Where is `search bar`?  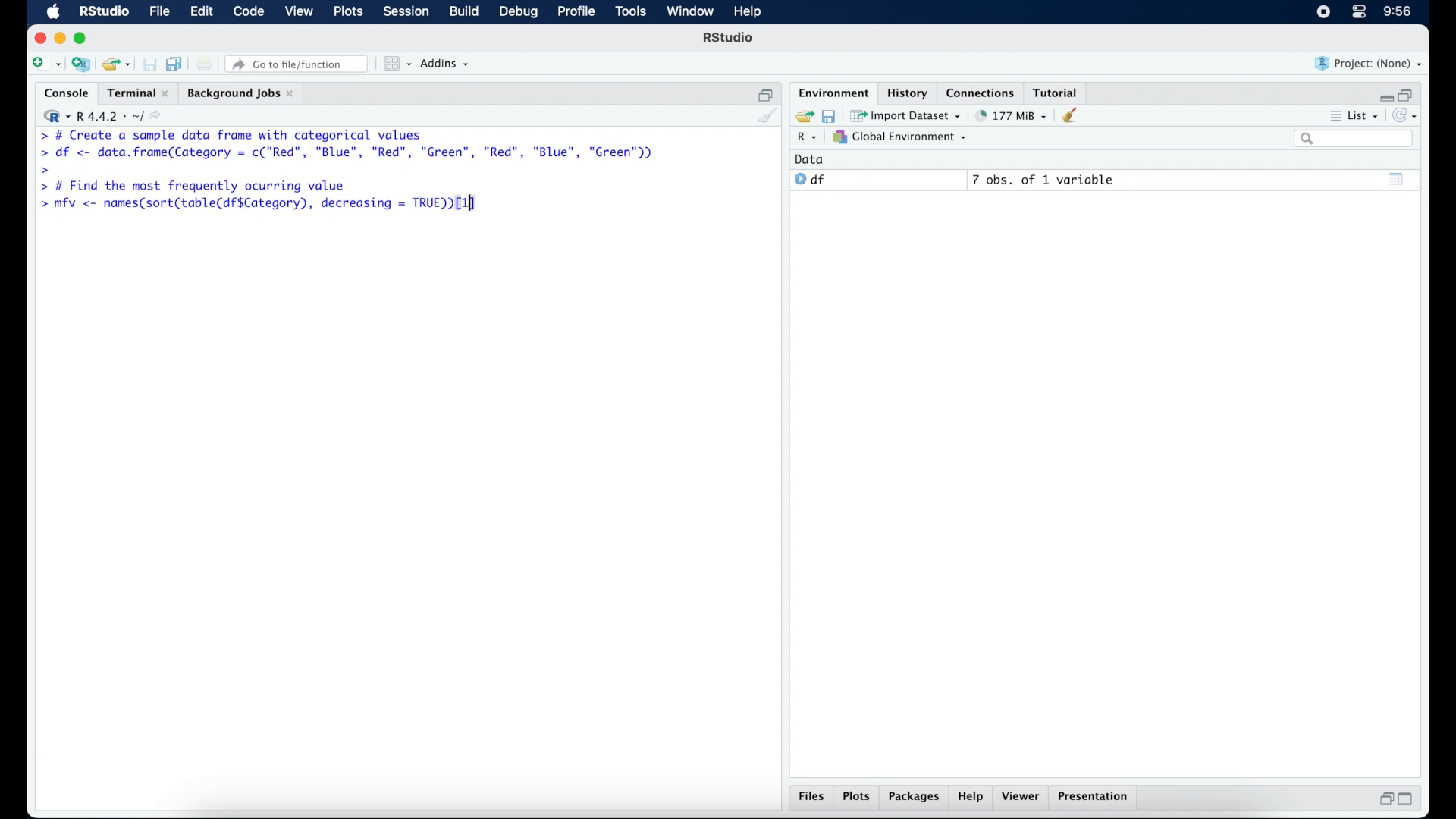
search bar is located at coordinates (1355, 140).